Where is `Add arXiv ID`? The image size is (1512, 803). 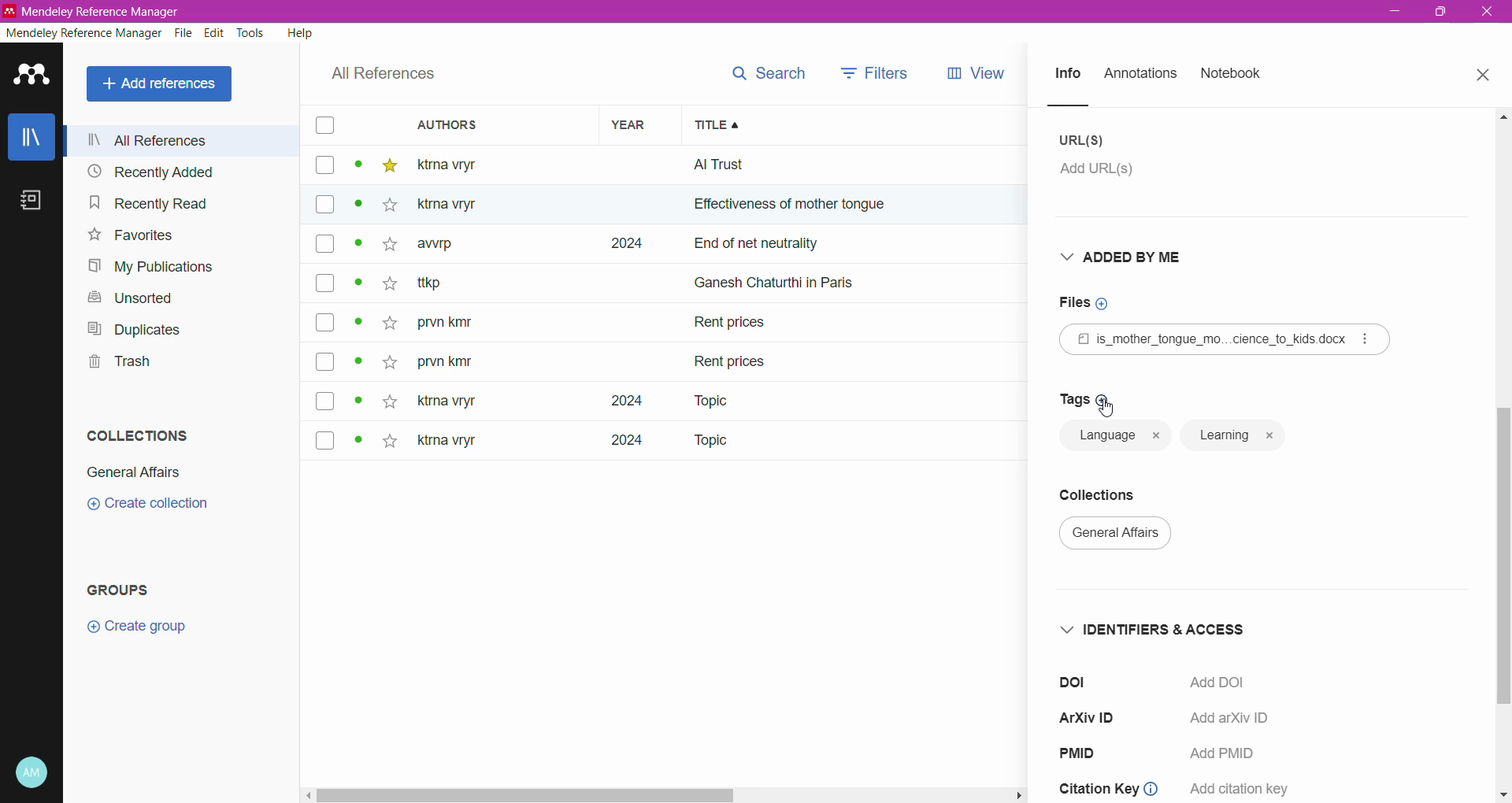 Add arXiv ID is located at coordinates (1225, 722).